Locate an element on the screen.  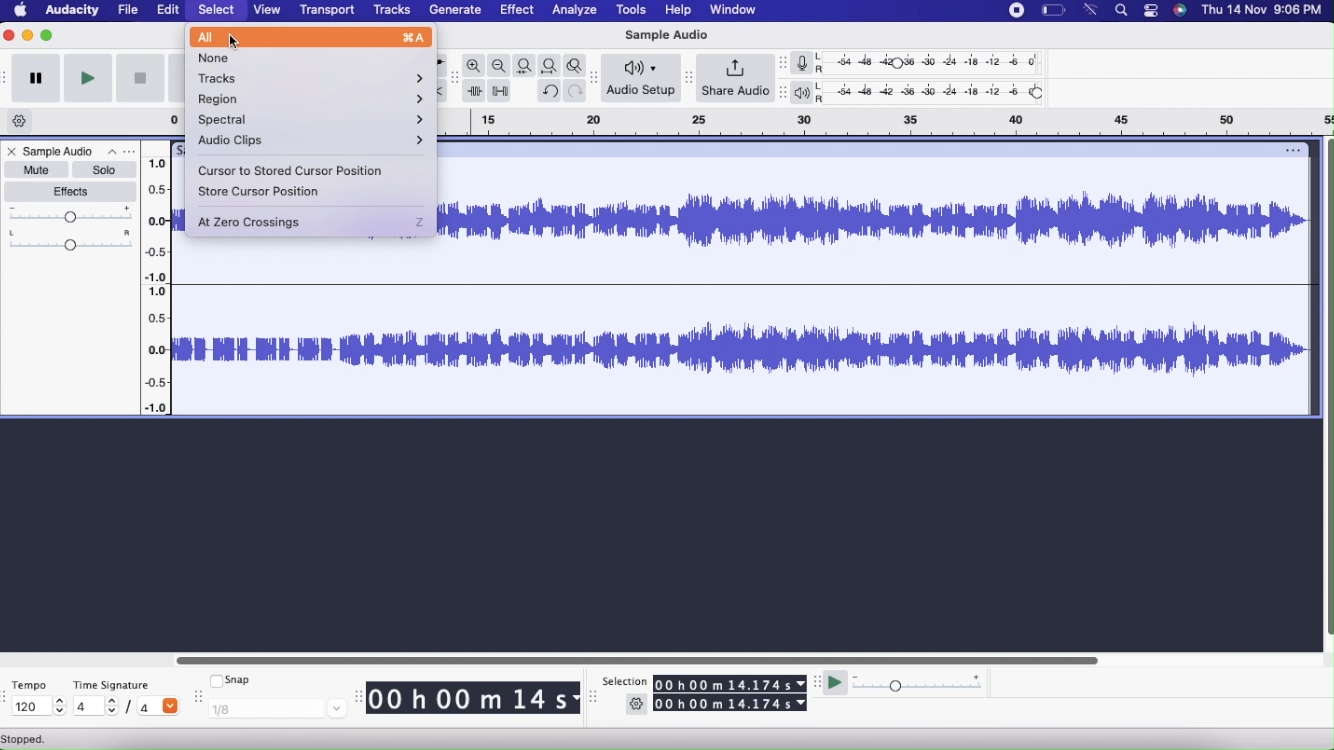
Trim outside selection is located at coordinates (475, 90).